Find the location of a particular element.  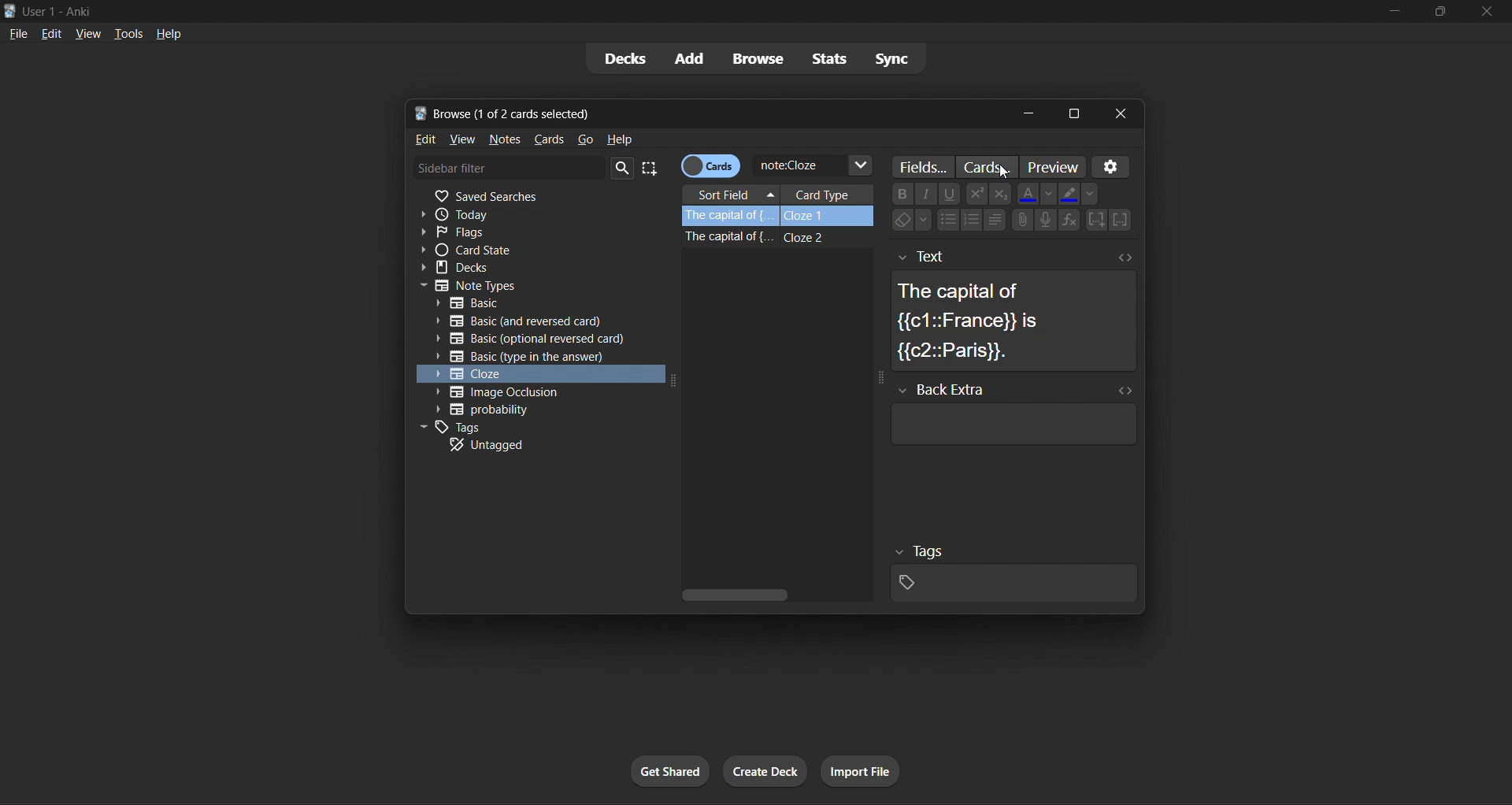

cursor is located at coordinates (1003, 172).